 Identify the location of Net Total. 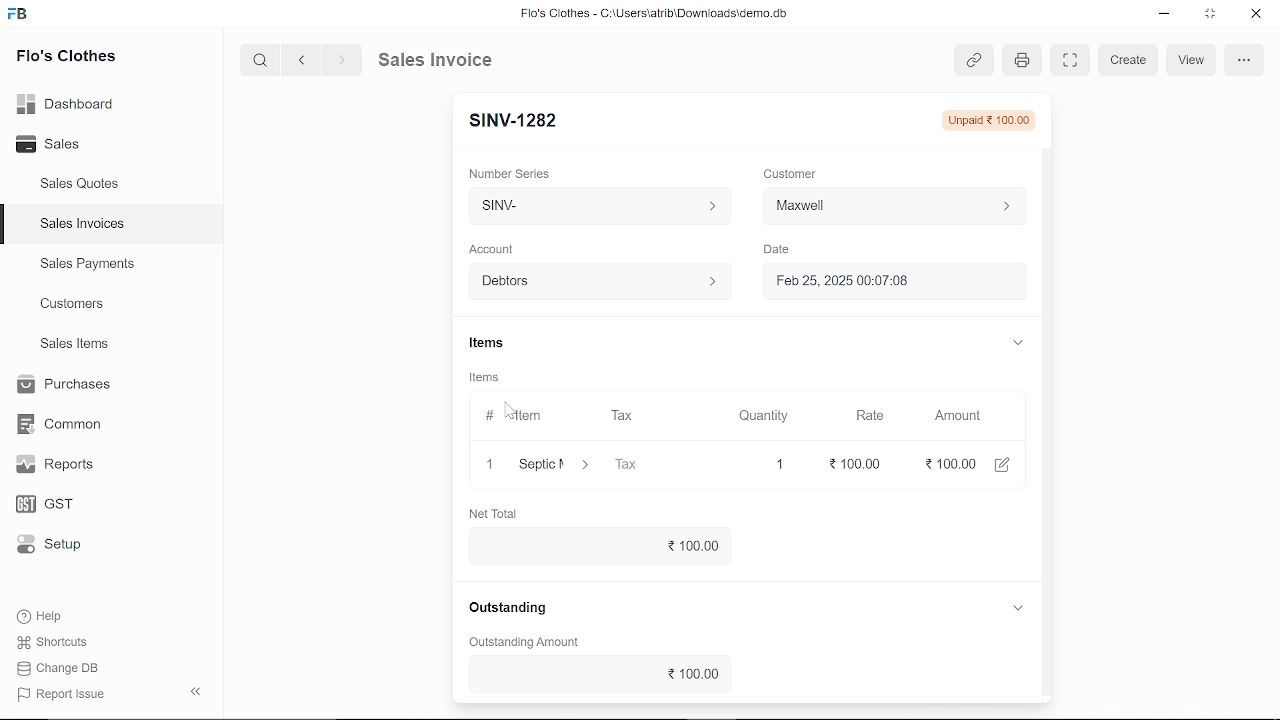
(491, 513).